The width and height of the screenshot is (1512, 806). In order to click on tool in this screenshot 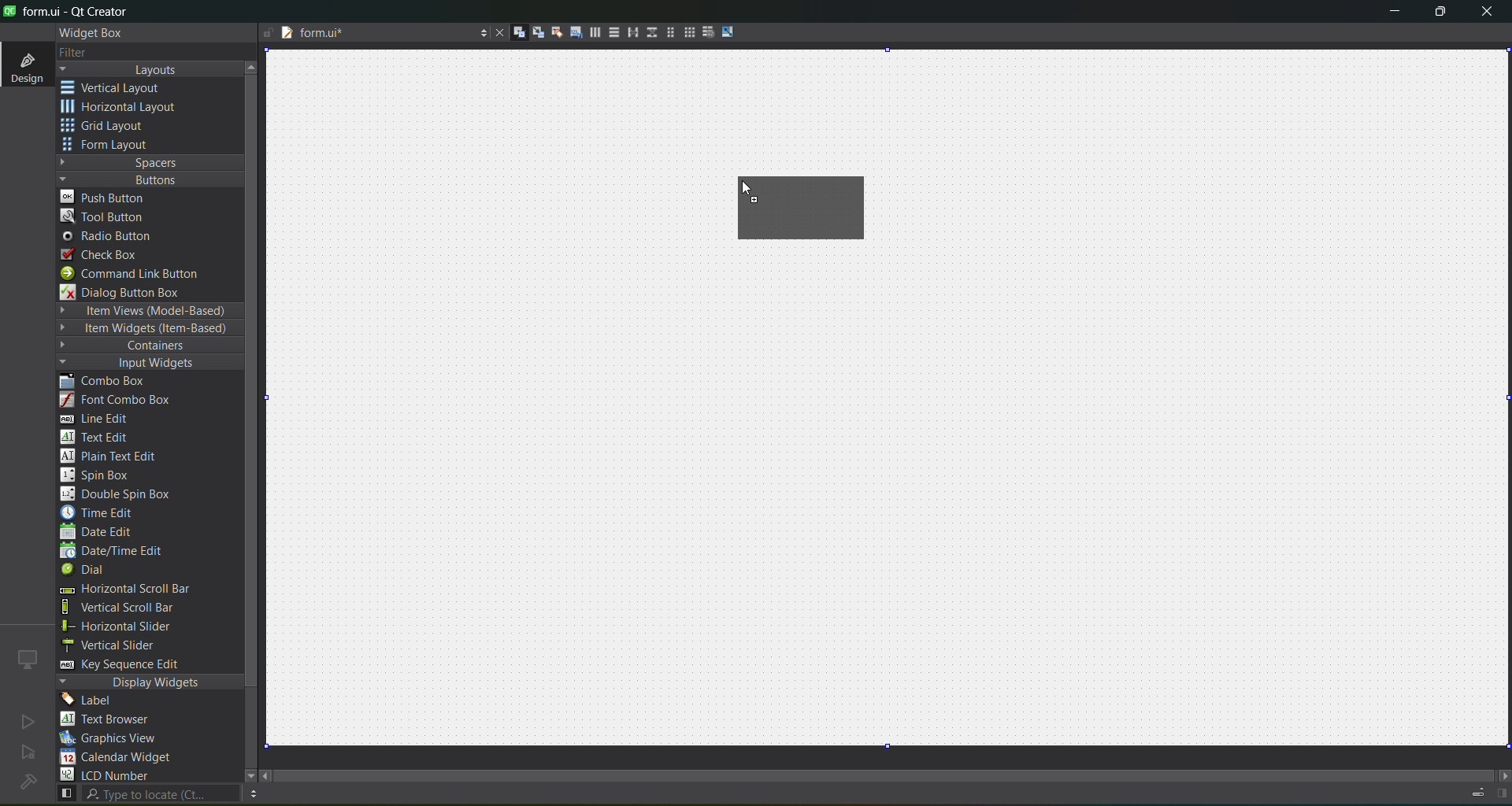, I will do `click(106, 216)`.